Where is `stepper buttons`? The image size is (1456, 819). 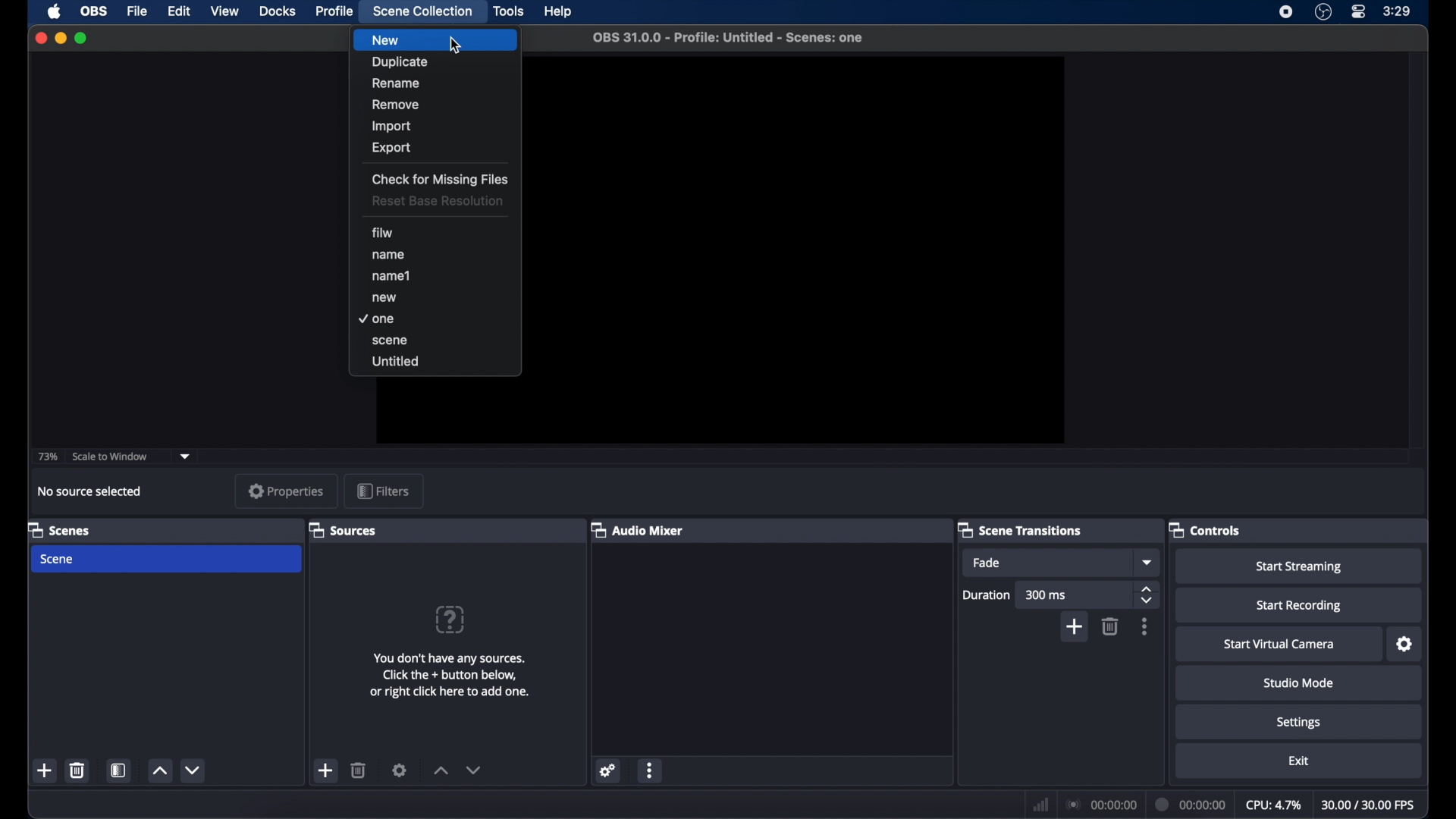
stepper buttons is located at coordinates (1147, 595).